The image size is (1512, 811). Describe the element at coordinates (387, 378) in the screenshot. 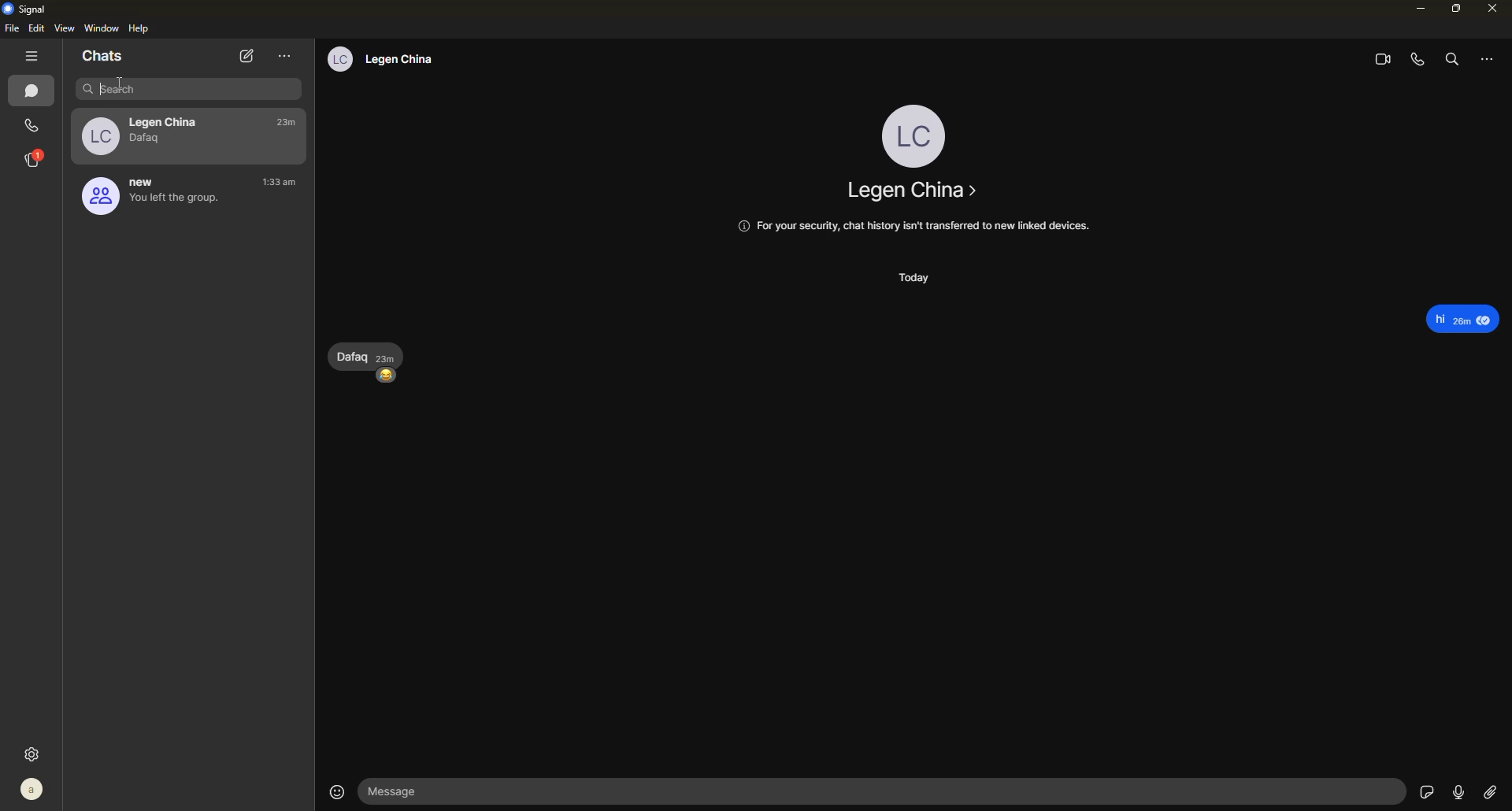

I see `happy emoji` at that location.